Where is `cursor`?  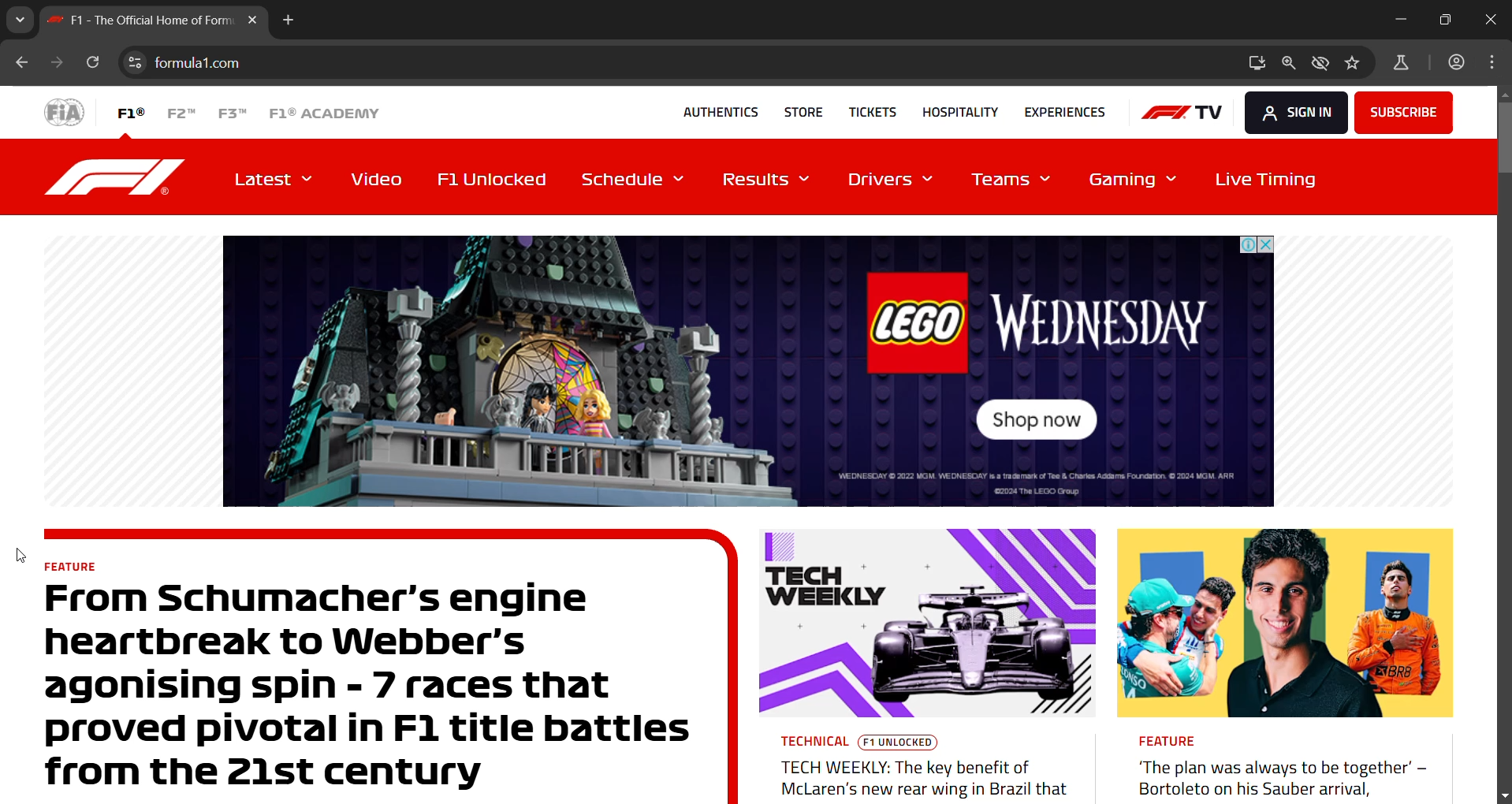
cursor is located at coordinates (20, 555).